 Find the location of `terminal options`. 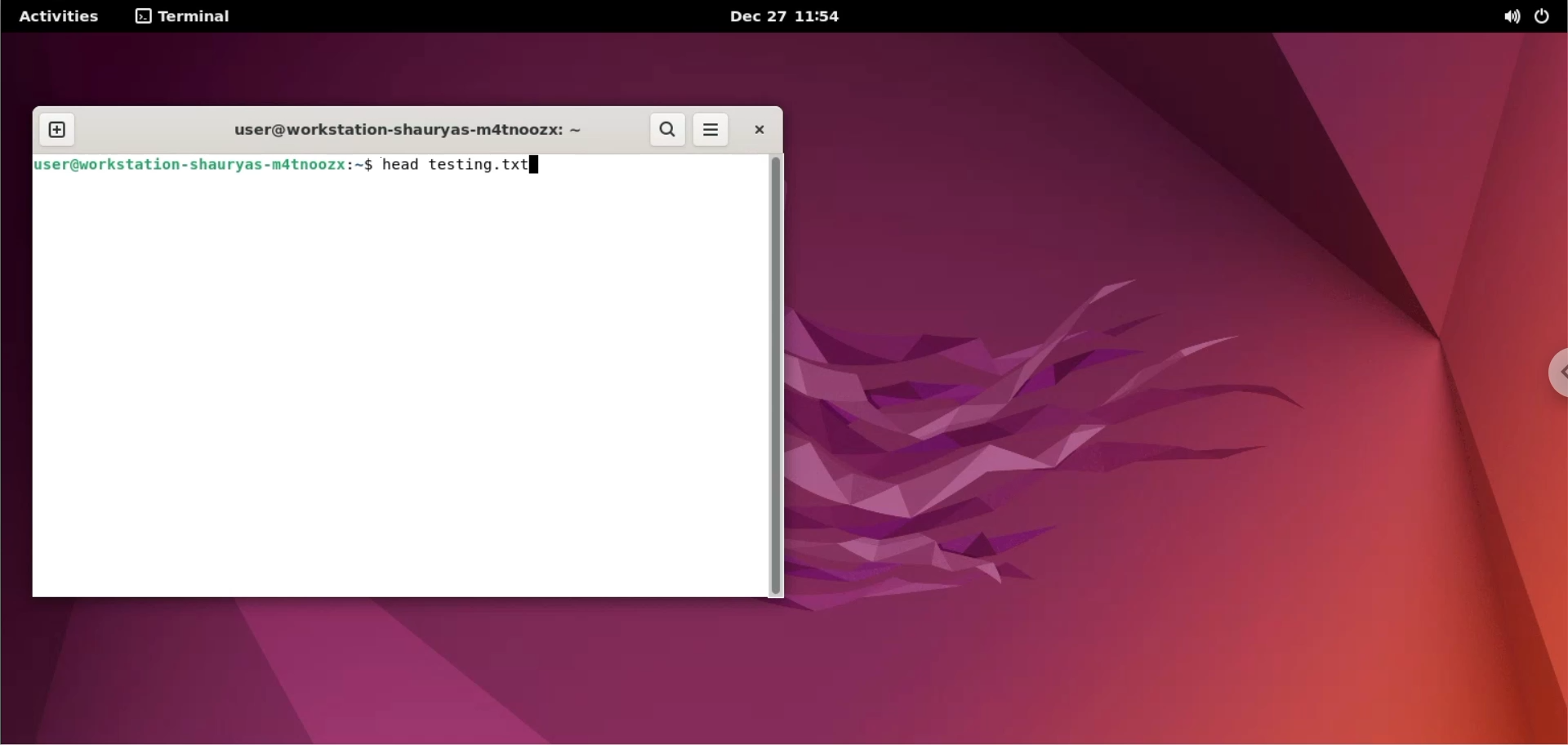

terminal options is located at coordinates (184, 17).